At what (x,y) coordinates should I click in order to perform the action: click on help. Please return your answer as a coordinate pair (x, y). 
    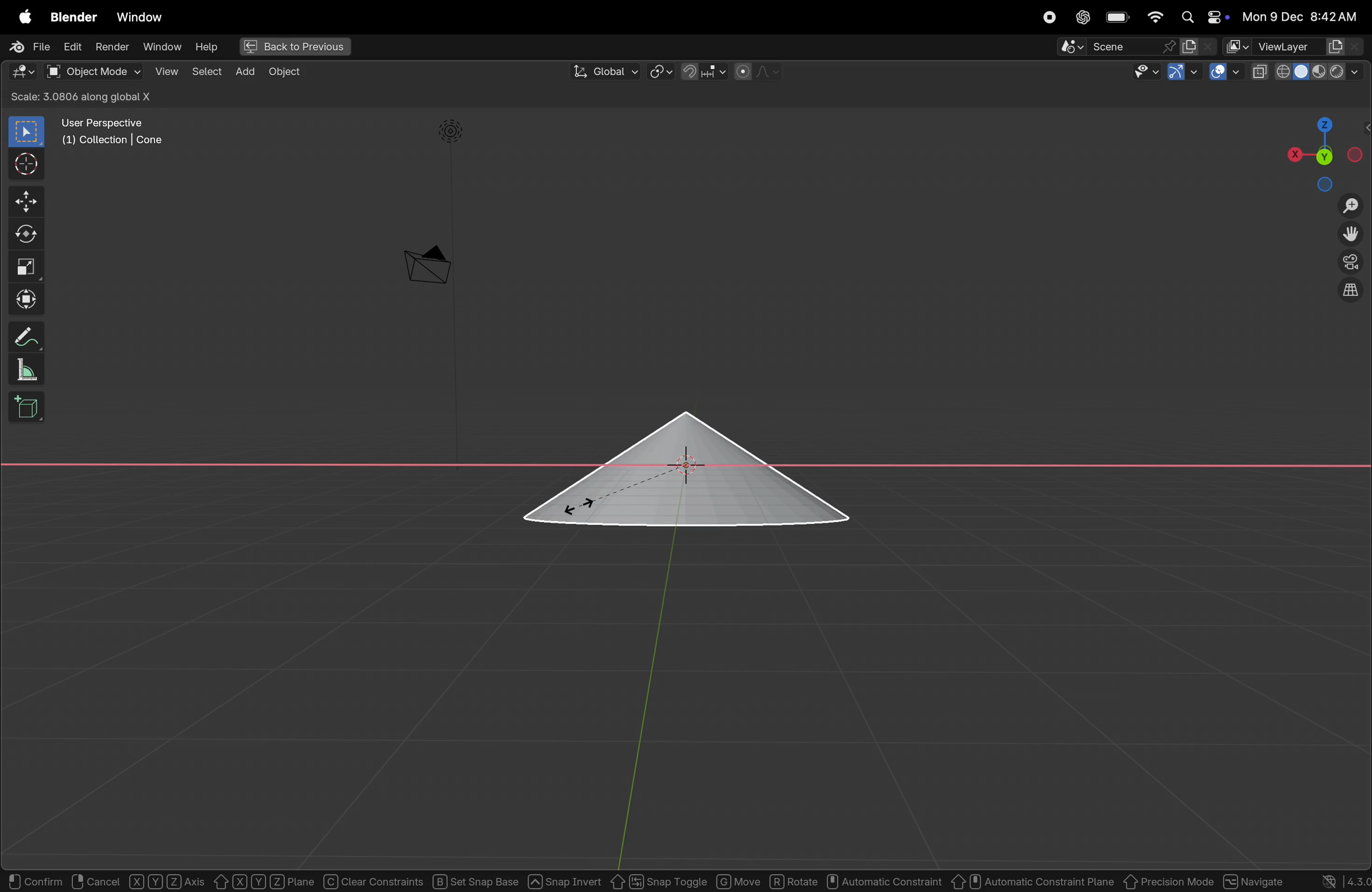
    Looking at the image, I should click on (210, 48).